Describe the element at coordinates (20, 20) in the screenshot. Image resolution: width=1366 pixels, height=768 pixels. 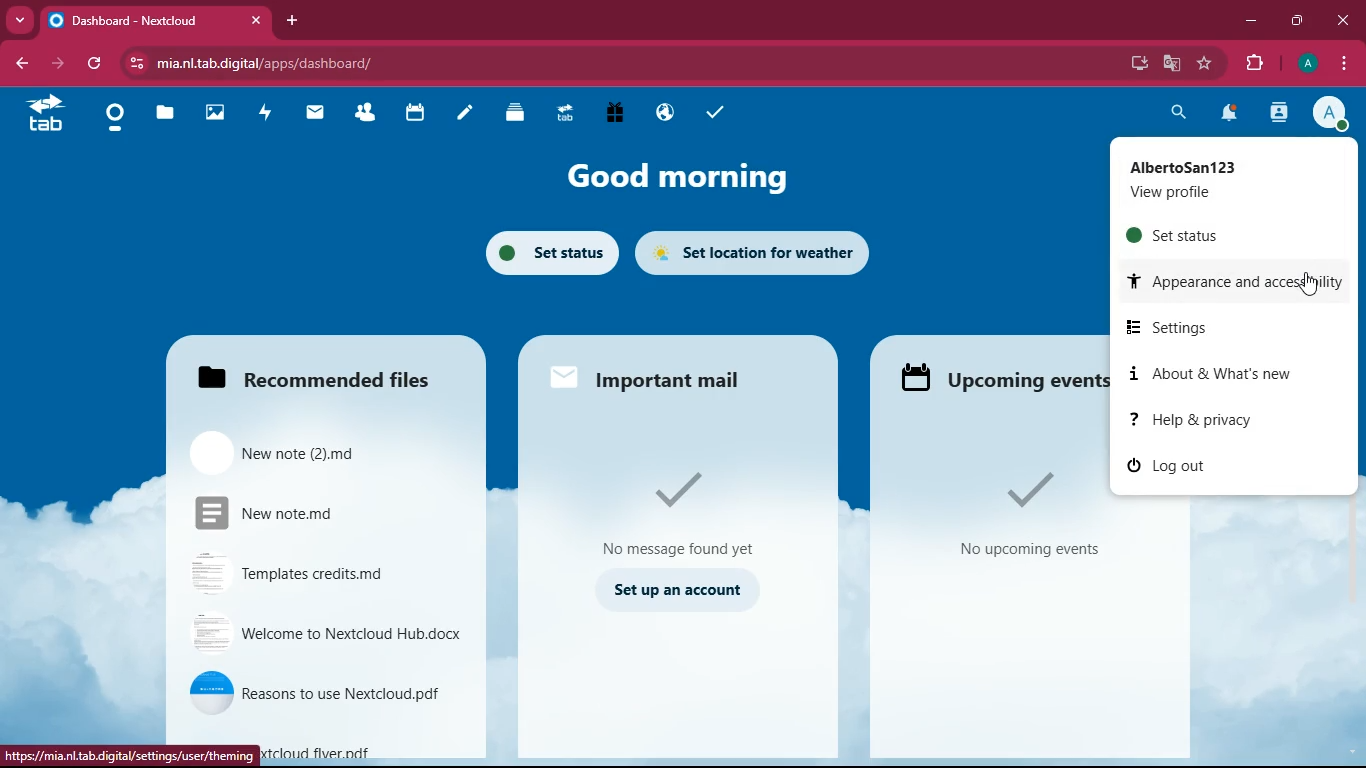
I see `more` at that location.